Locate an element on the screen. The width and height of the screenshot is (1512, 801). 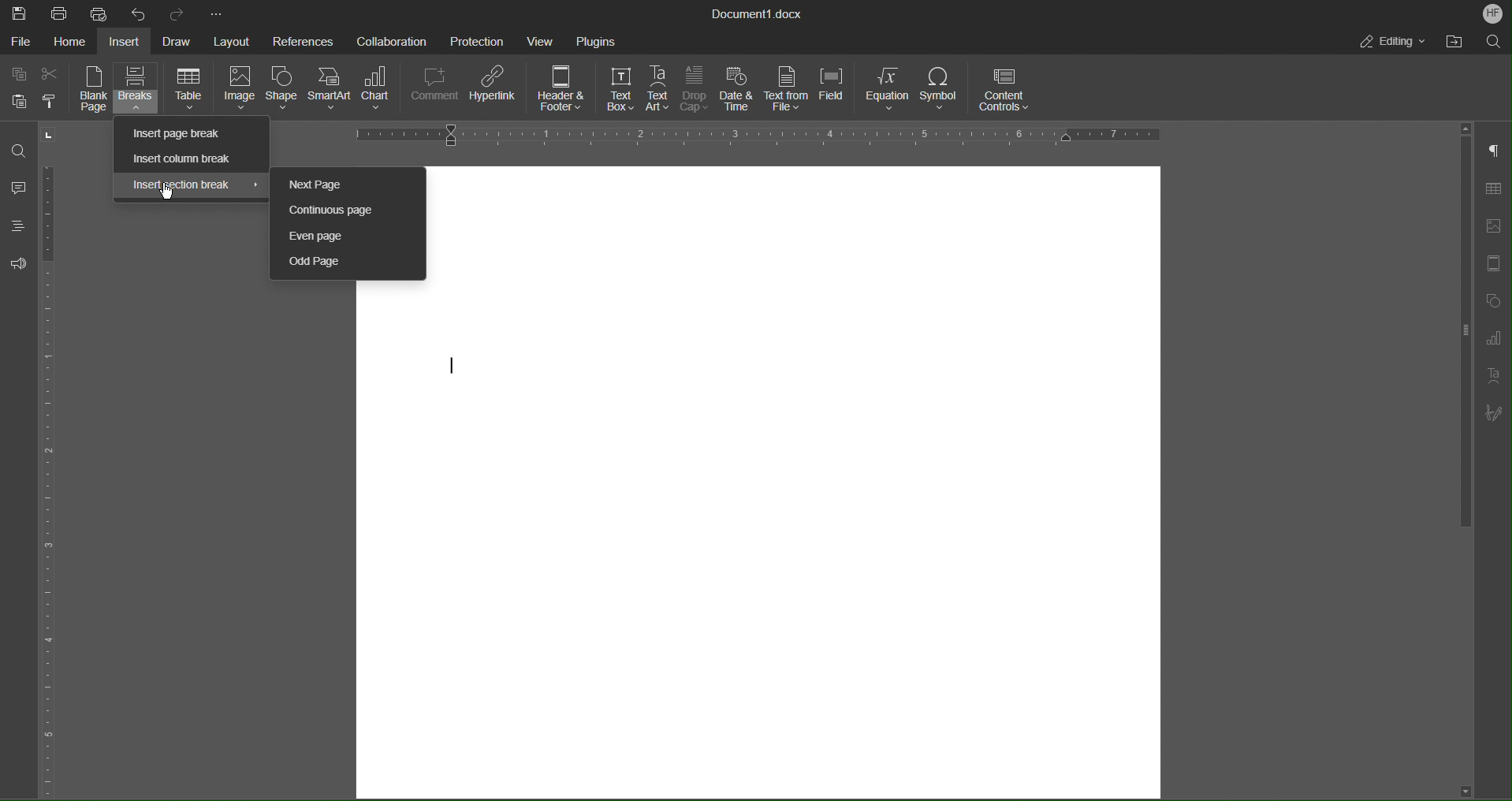
Open File Location is located at coordinates (1459, 42).